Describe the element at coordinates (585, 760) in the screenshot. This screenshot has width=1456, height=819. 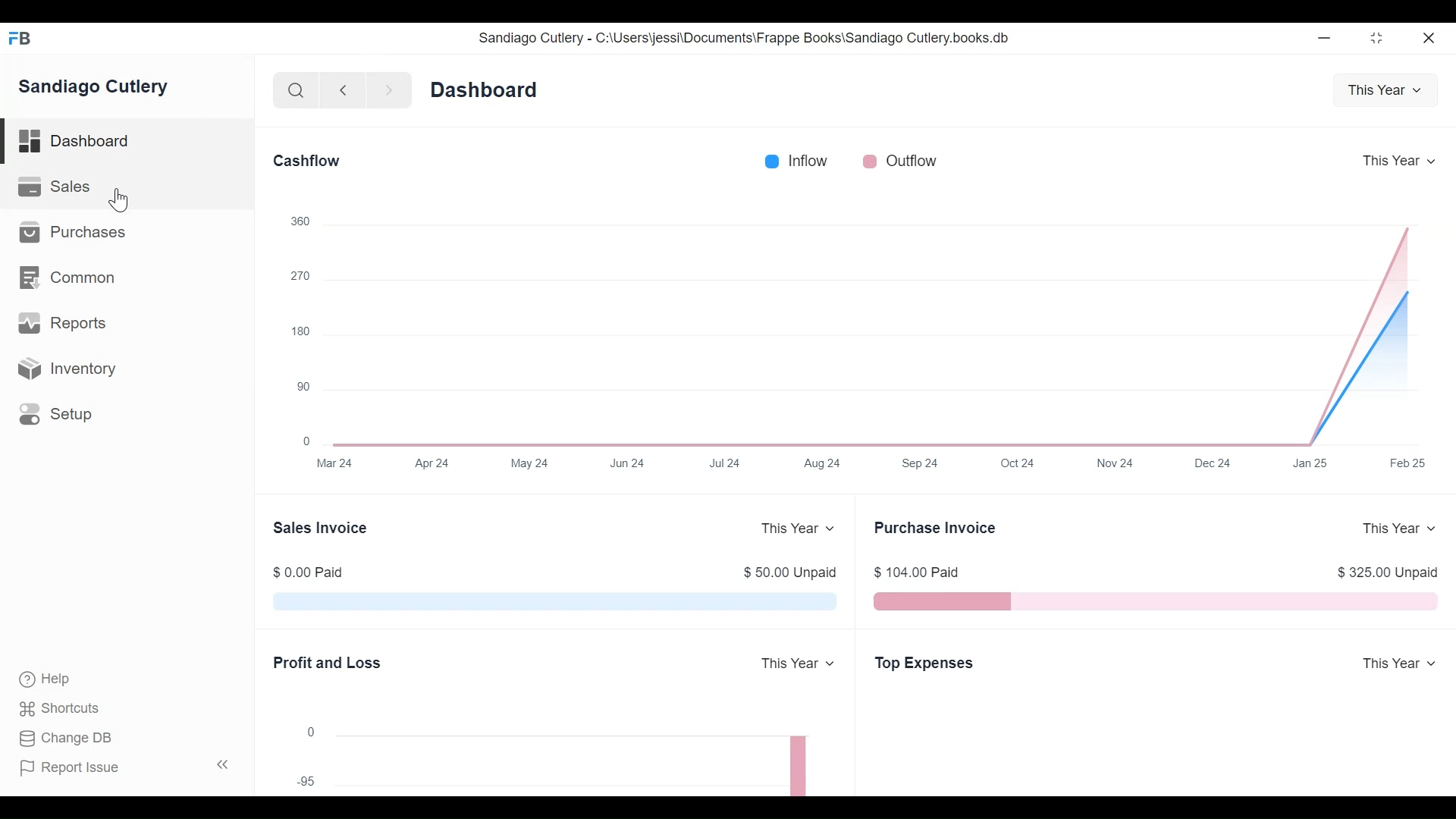
I see `The chart shows the profit (or loss) per month for a year` at that location.